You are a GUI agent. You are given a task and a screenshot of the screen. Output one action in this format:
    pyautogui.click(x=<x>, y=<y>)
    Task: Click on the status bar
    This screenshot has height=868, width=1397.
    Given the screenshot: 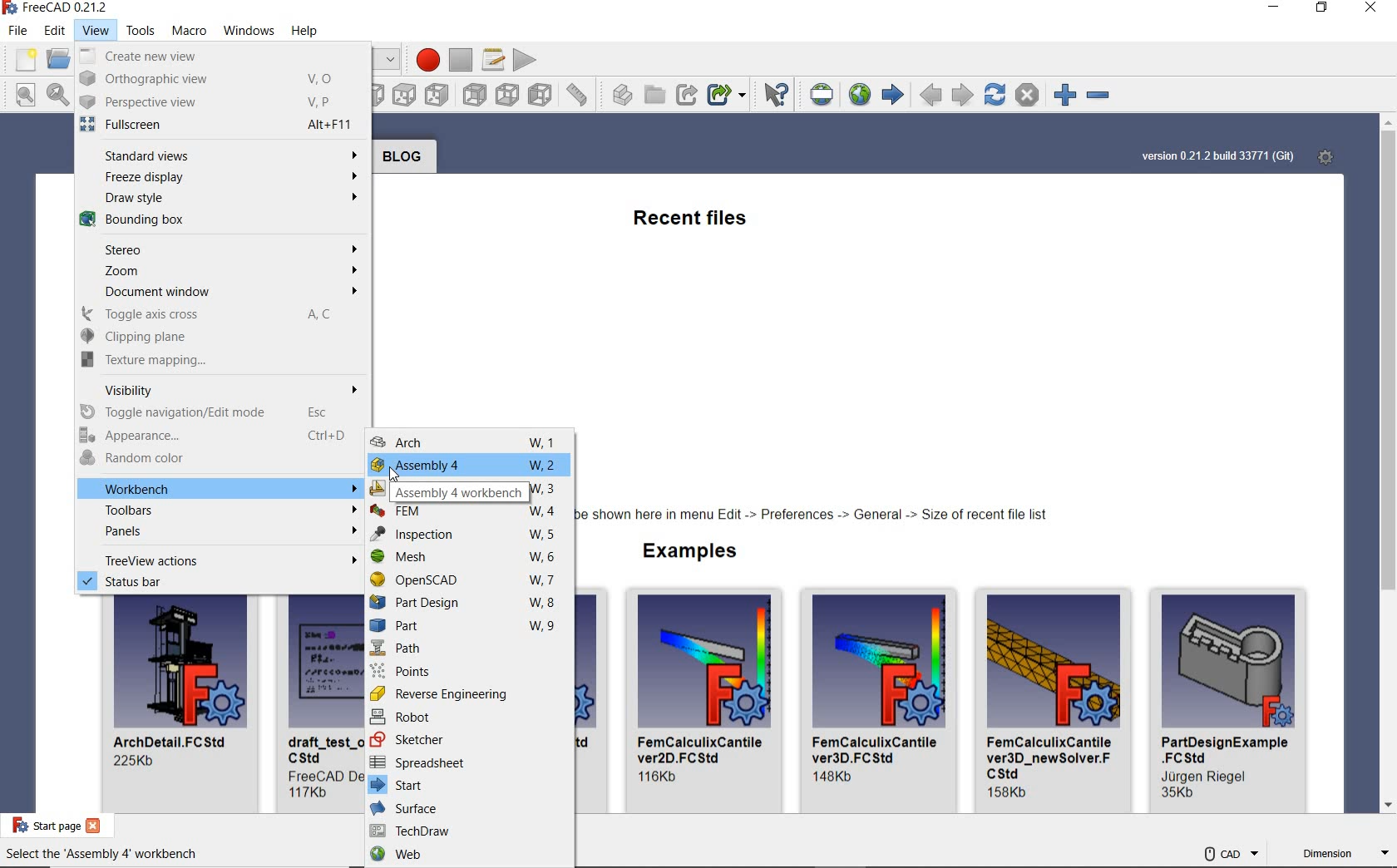 What is the action you would take?
    pyautogui.click(x=221, y=585)
    